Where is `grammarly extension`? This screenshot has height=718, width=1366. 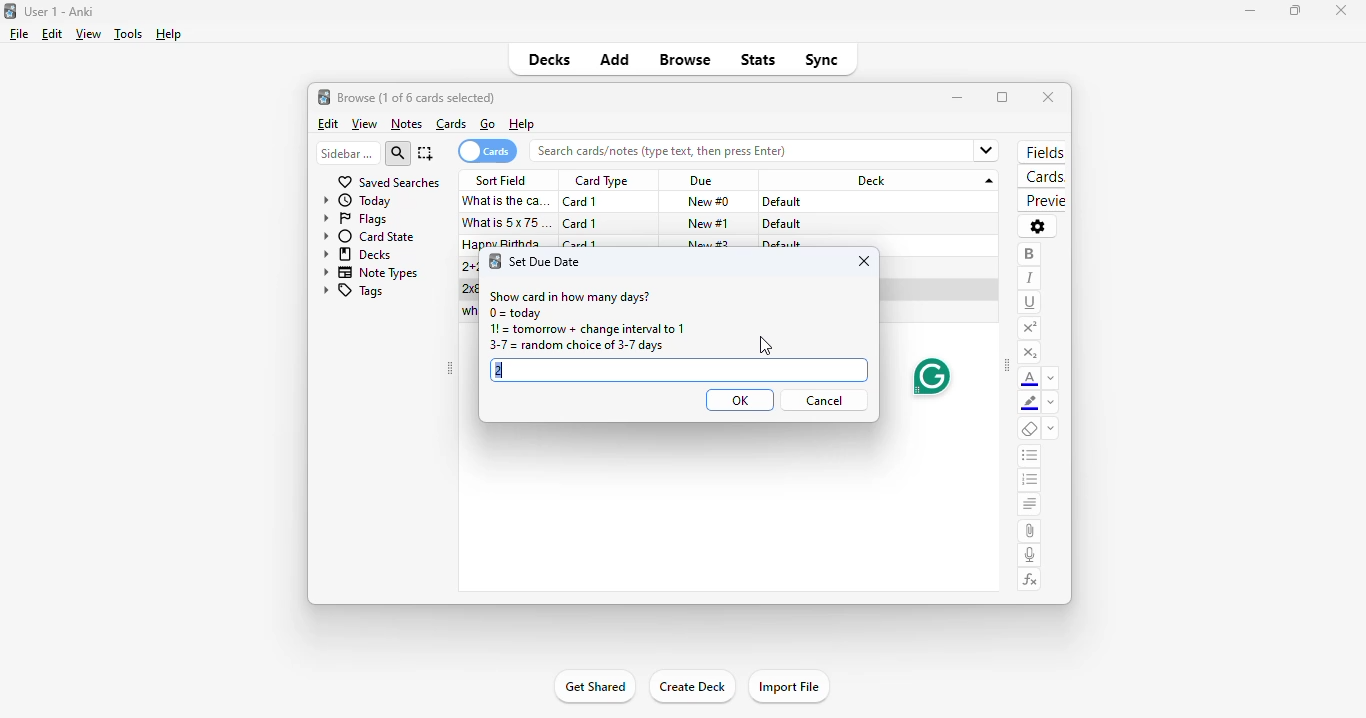
grammarly extension is located at coordinates (929, 376).